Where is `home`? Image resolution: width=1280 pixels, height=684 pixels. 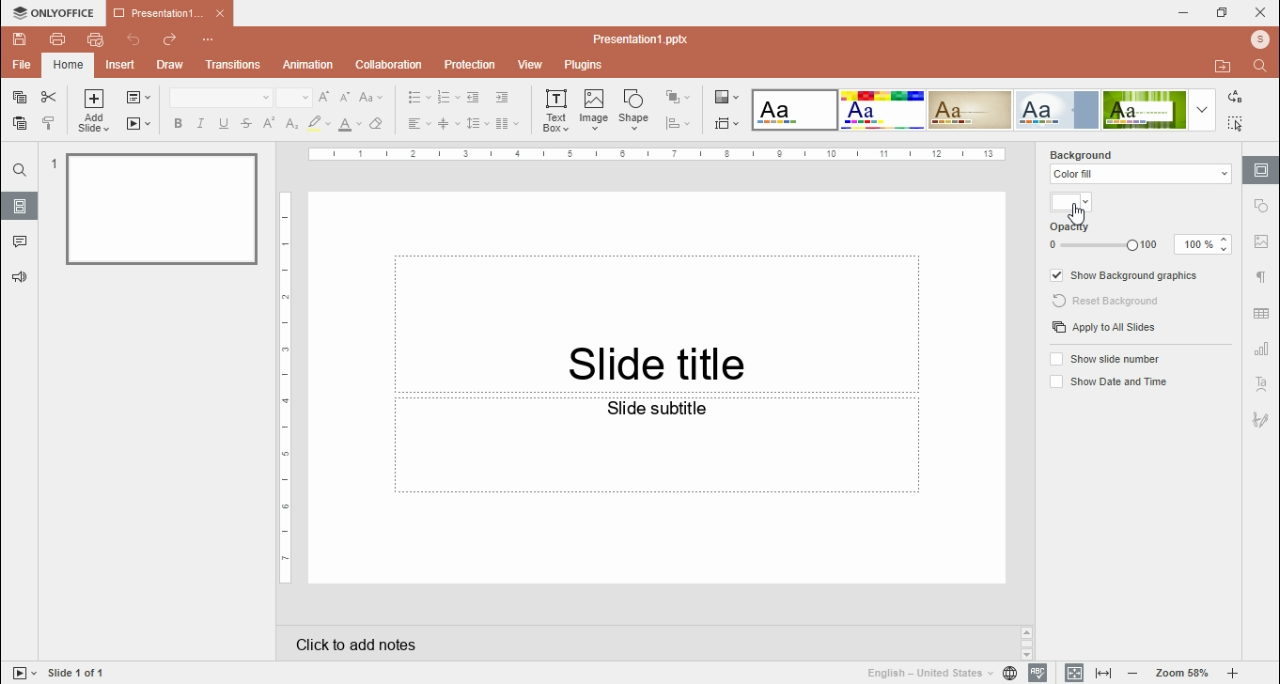 home is located at coordinates (66, 66).